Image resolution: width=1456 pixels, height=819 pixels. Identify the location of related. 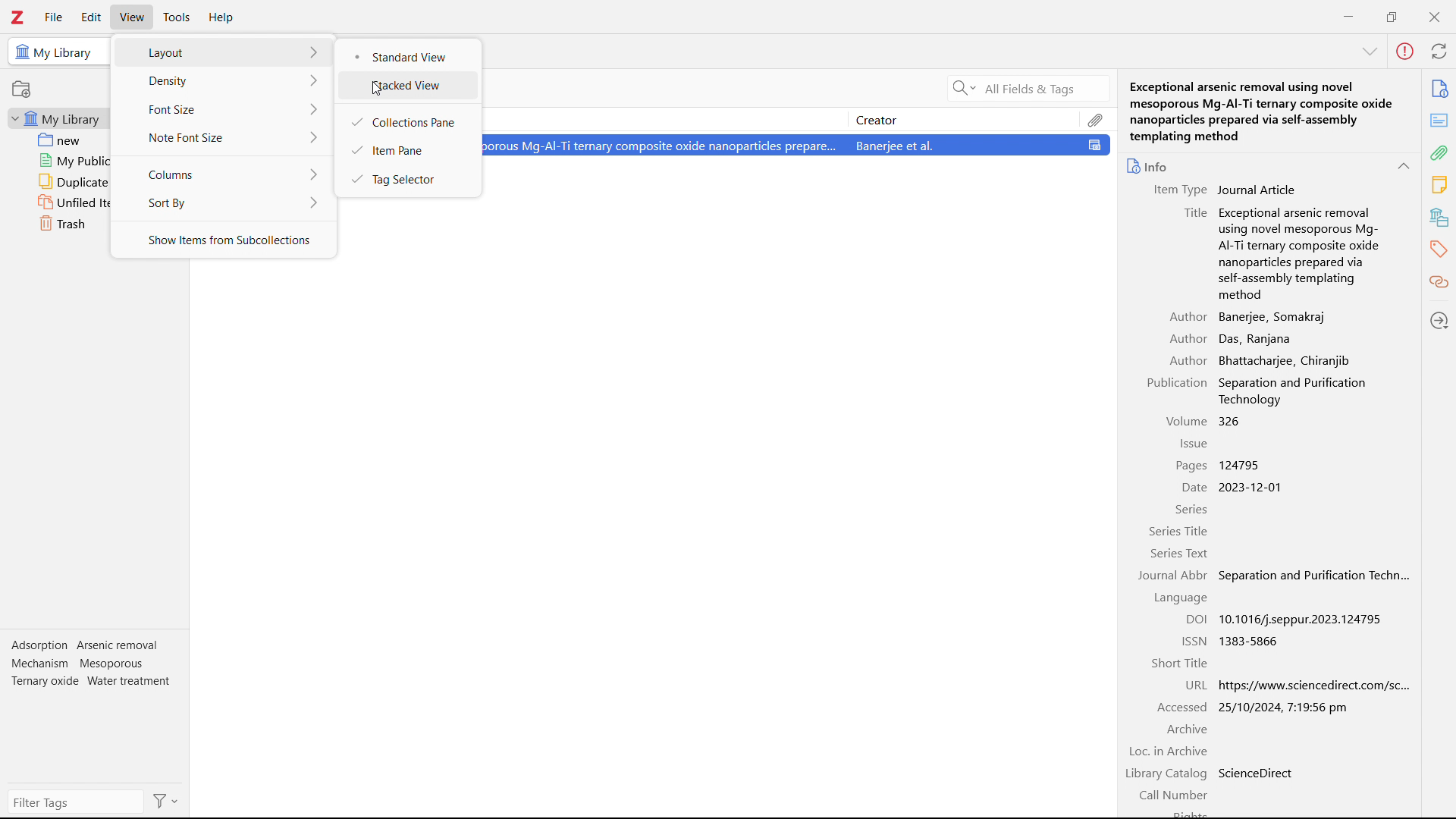
(1439, 281).